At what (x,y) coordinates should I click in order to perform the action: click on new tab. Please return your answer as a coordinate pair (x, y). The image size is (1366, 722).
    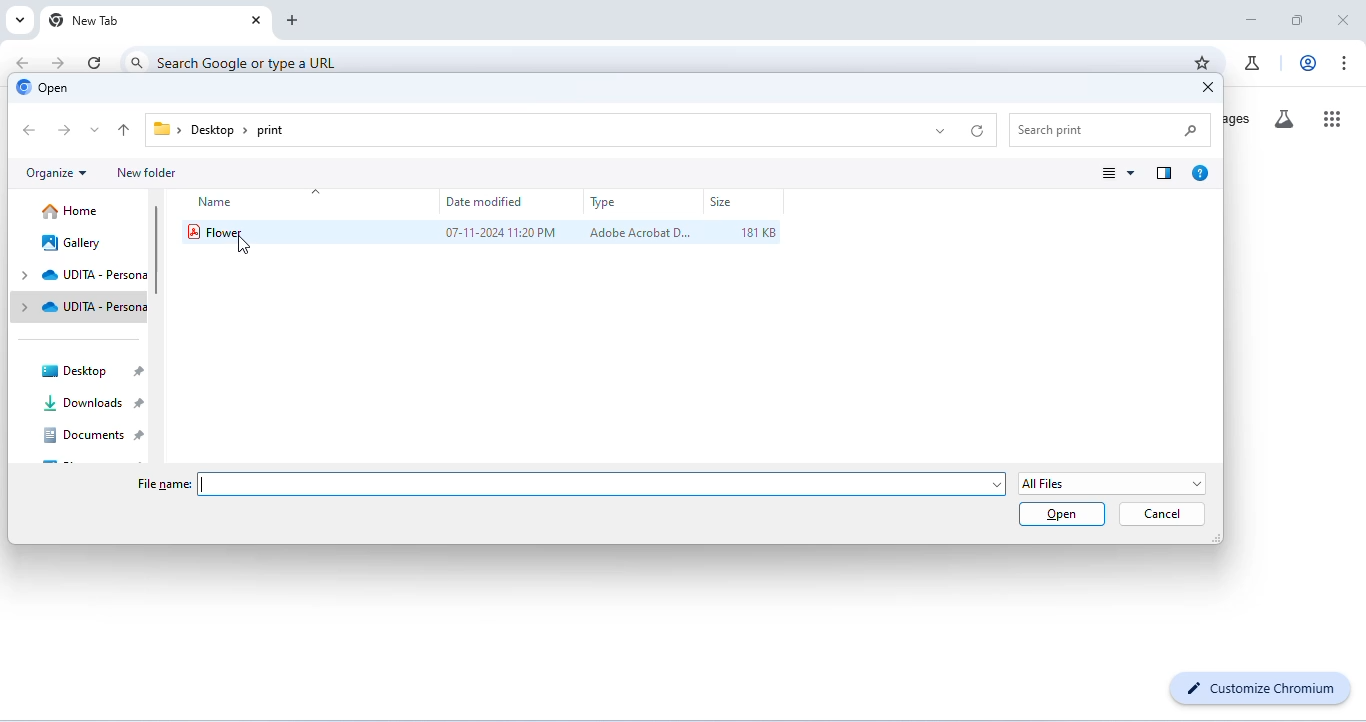
    Looking at the image, I should click on (85, 20).